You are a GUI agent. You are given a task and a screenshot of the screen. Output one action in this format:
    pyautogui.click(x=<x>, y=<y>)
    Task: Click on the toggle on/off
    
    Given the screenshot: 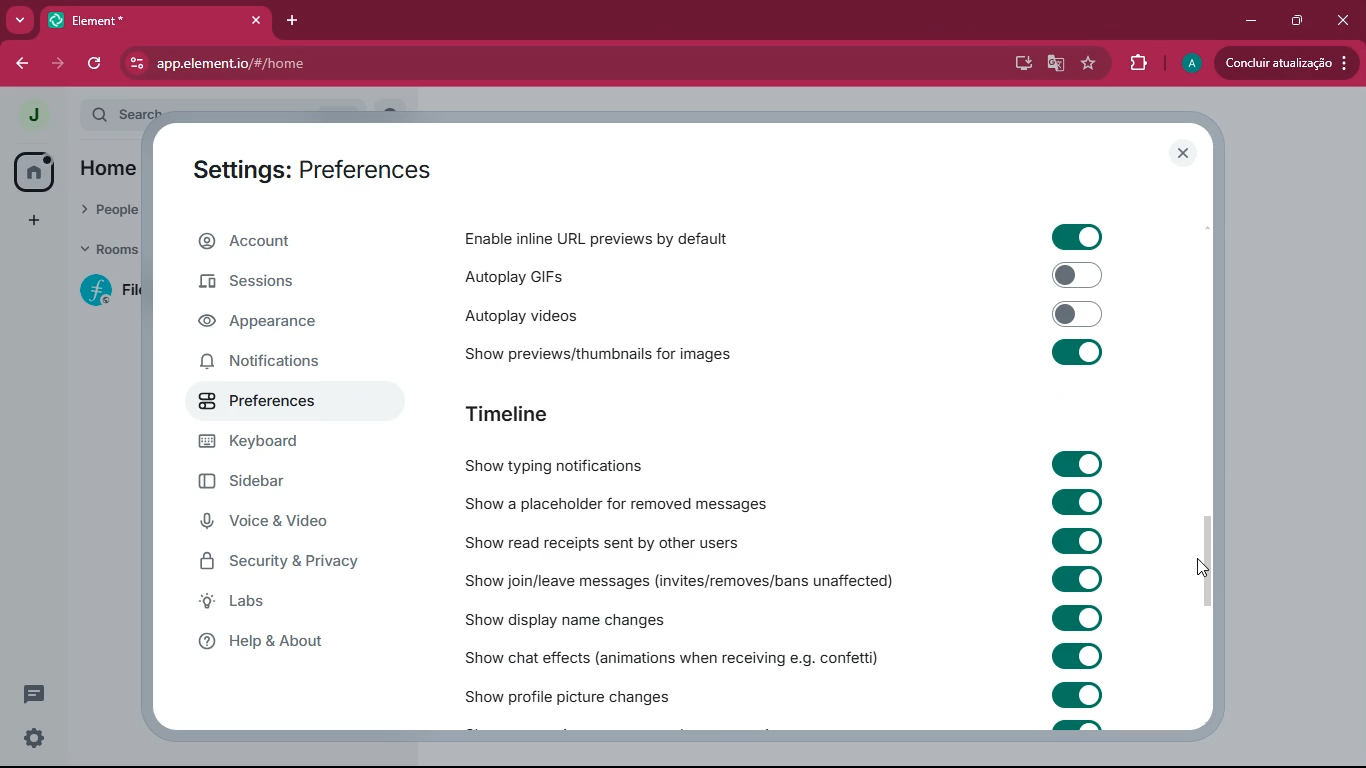 What is the action you would take?
    pyautogui.click(x=1076, y=618)
    